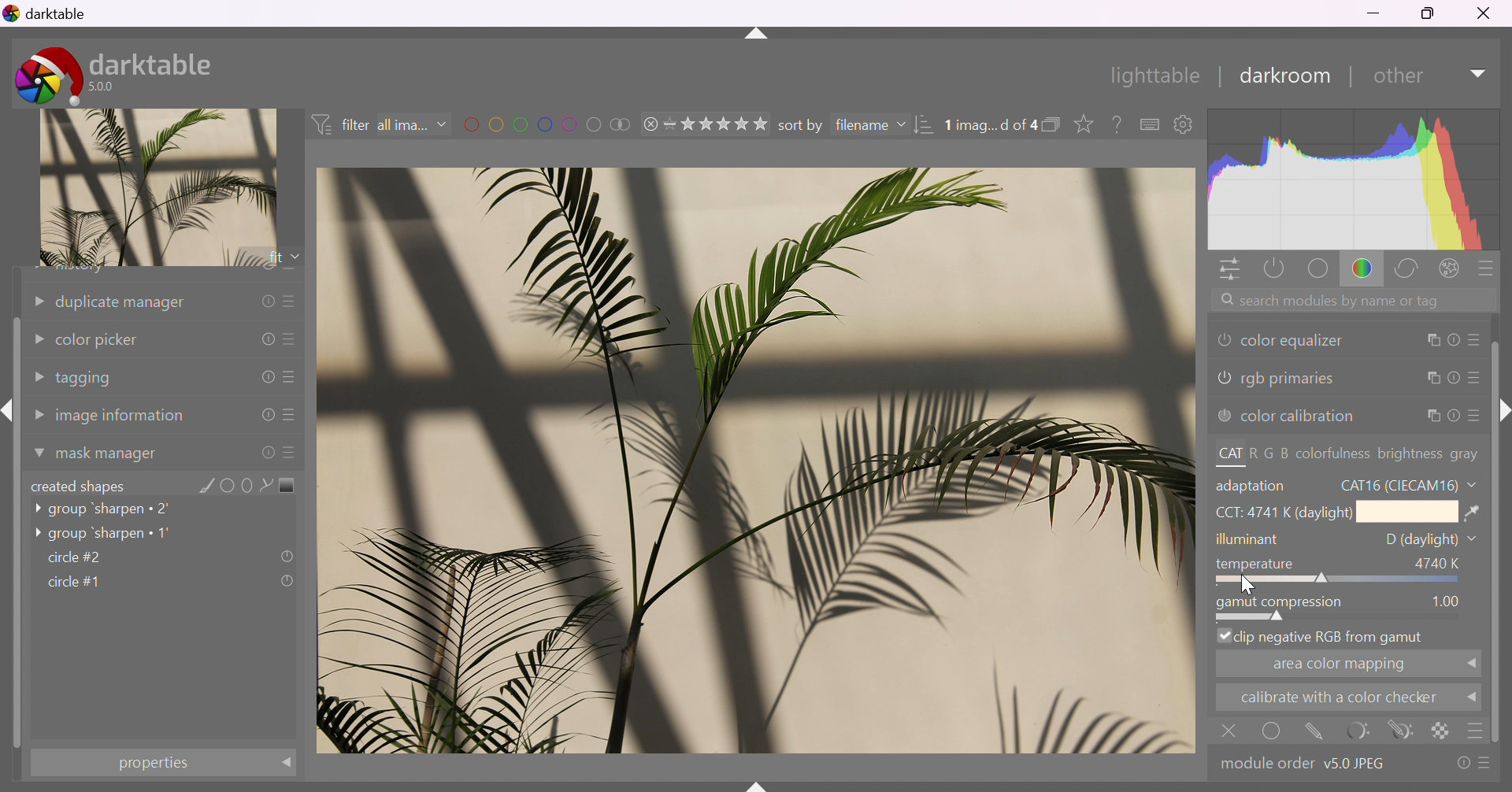 The height and width of the screenshot is (792, 1512). Describe the element at coordinates (1158, 76) in the screenshot. I see `lighttable` at that location.